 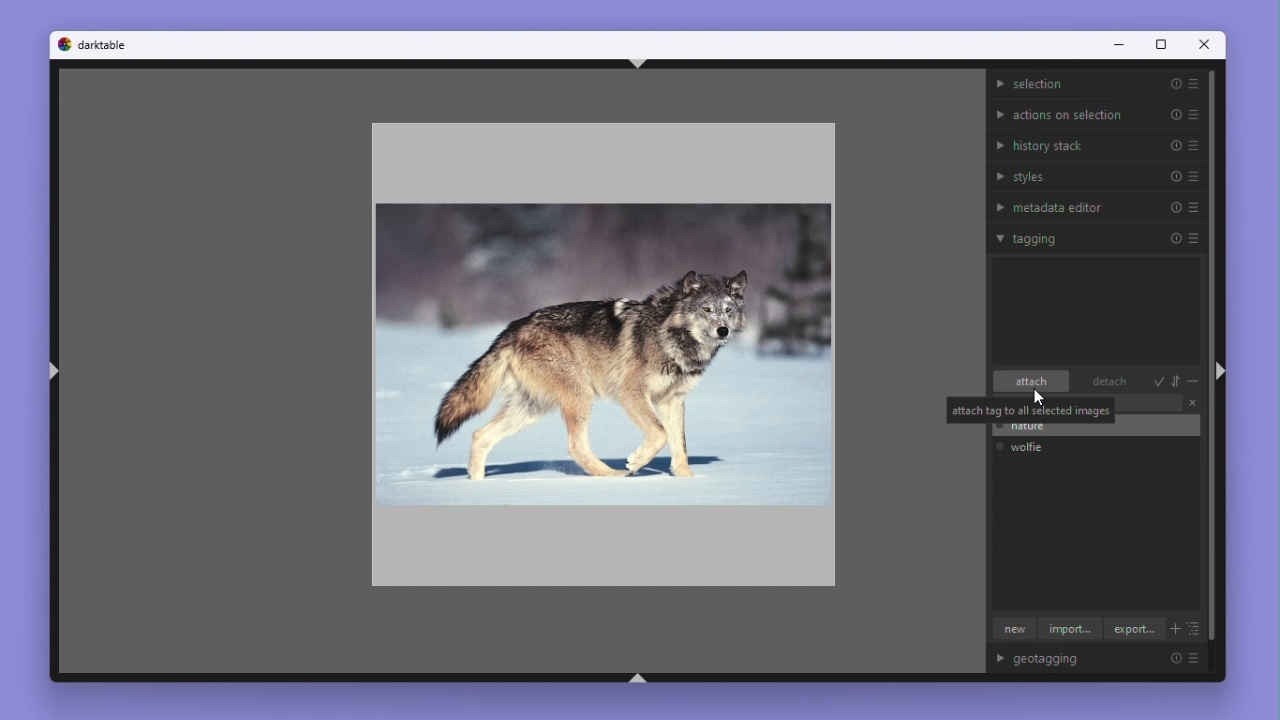 I want to click on Maximize, so click(x=1159, y=46).